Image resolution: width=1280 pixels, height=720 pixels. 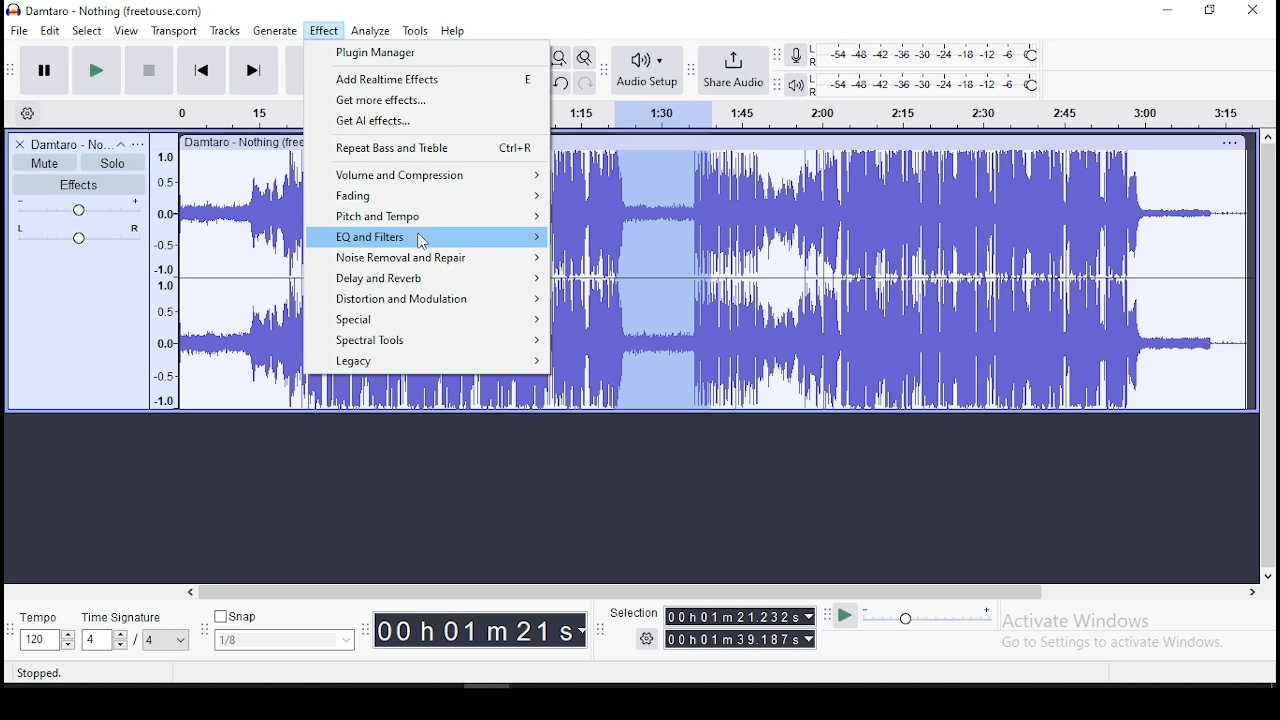 I want to click on audio track, so click(x=239, y=281).